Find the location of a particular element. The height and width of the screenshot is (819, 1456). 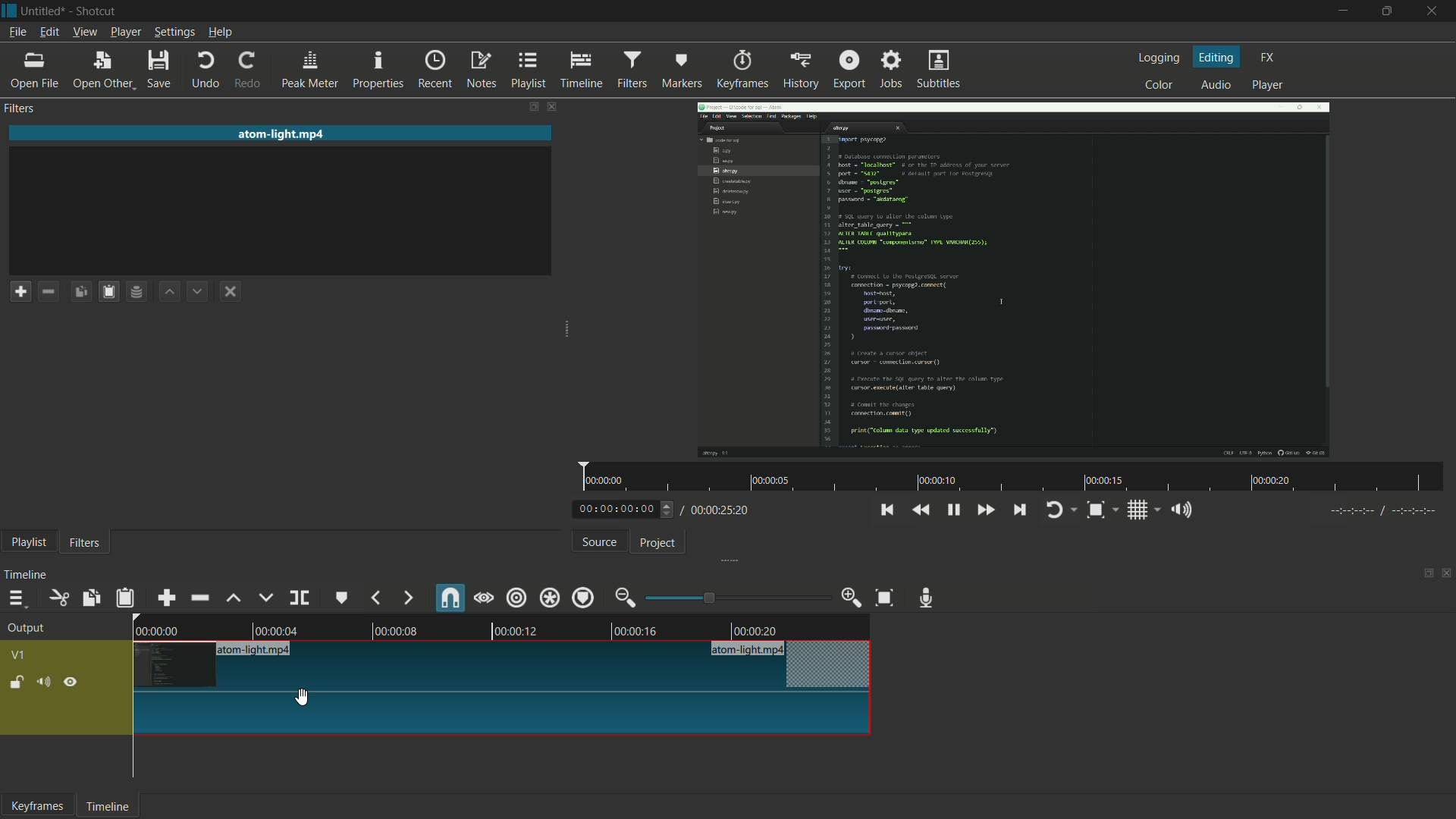

fx is located at coordinates (1268, 58).